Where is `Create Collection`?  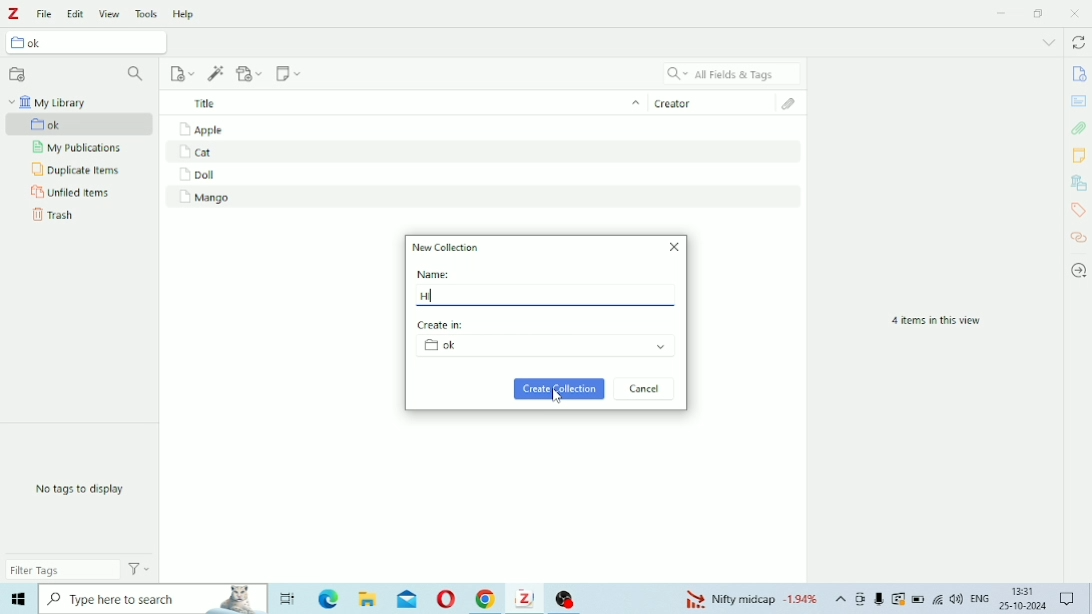 Create Collection is located at coordinates (559, 389).